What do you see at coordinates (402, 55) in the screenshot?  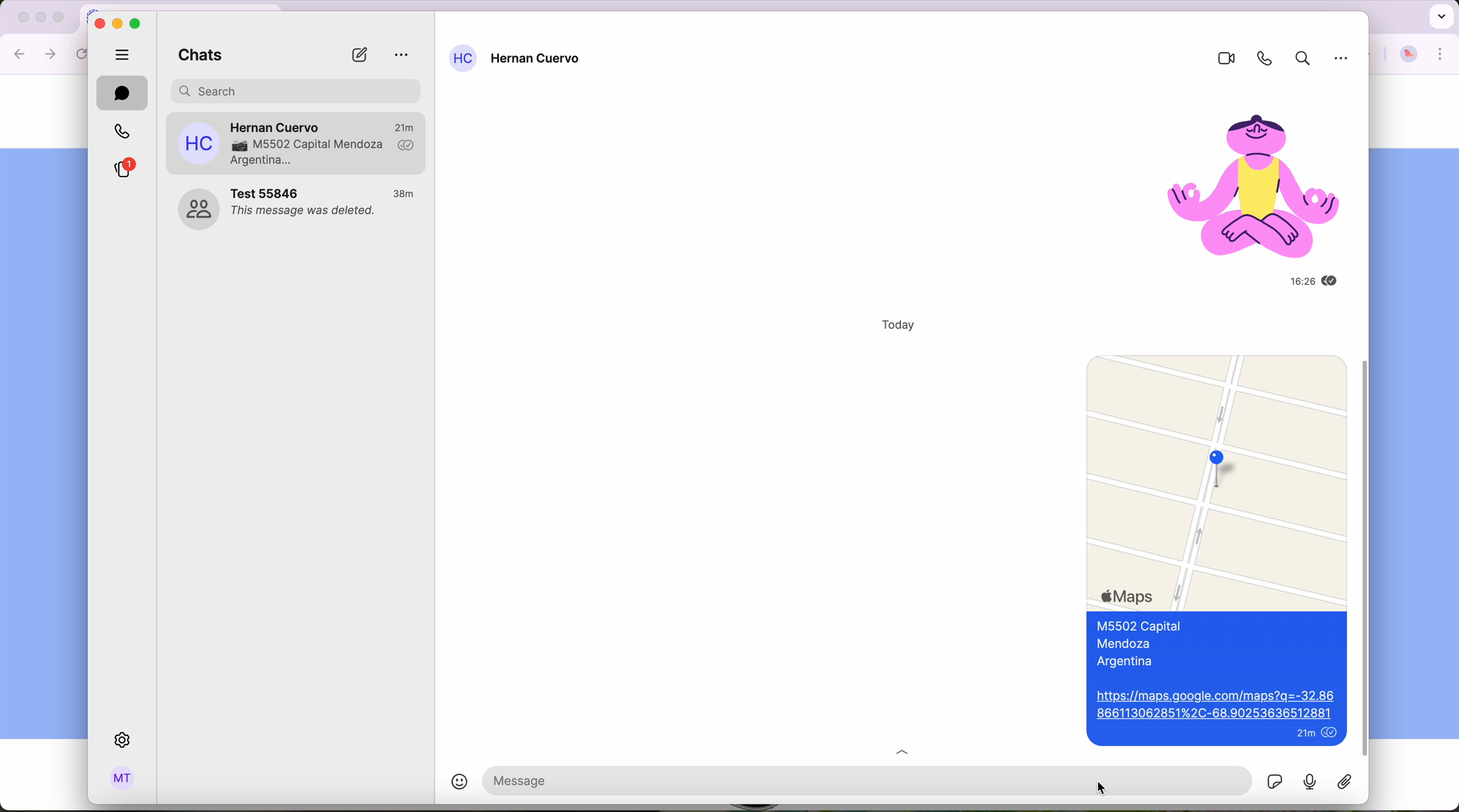 I see `options` at bounding box center [402, 55].